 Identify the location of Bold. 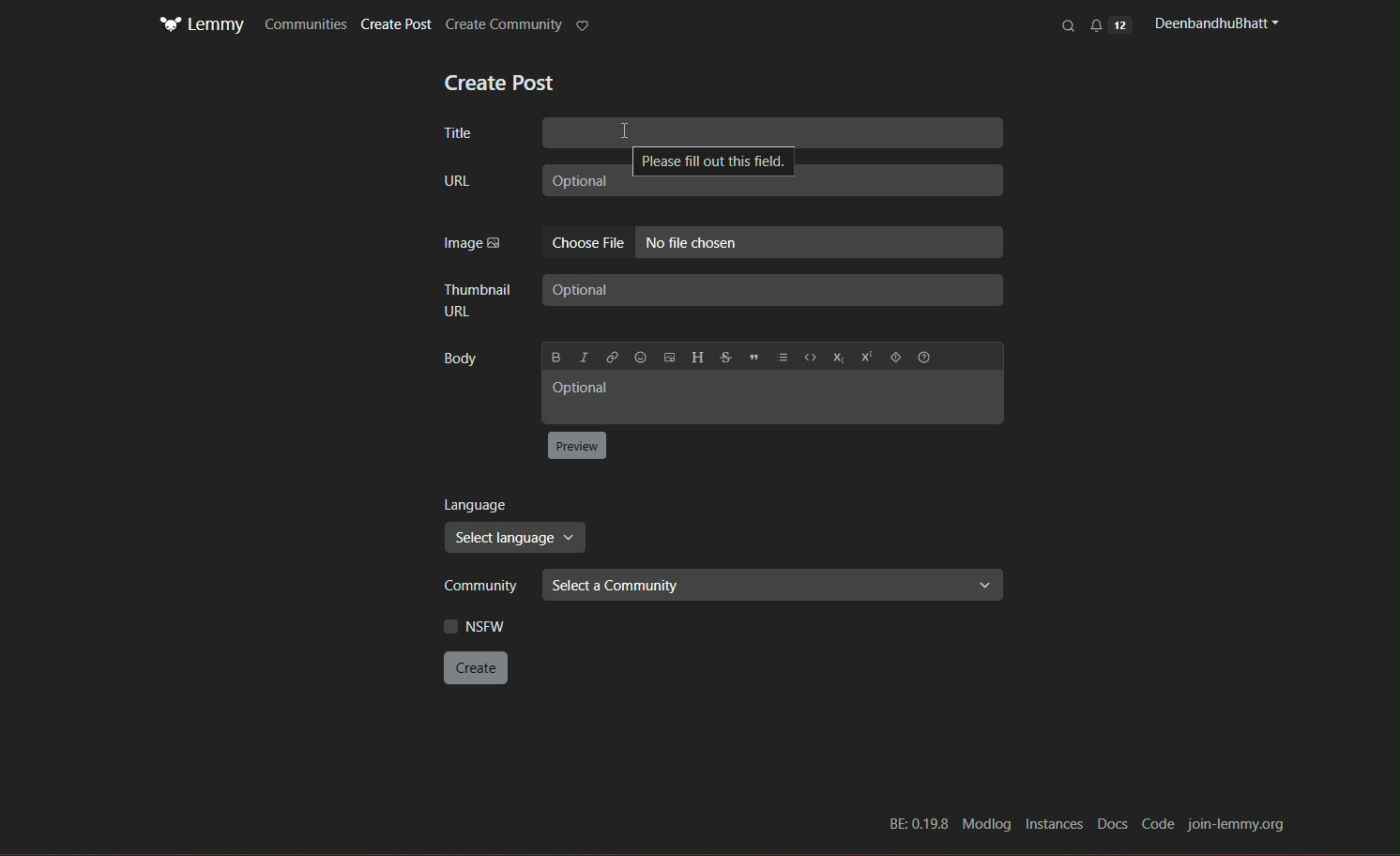
(556, 357).